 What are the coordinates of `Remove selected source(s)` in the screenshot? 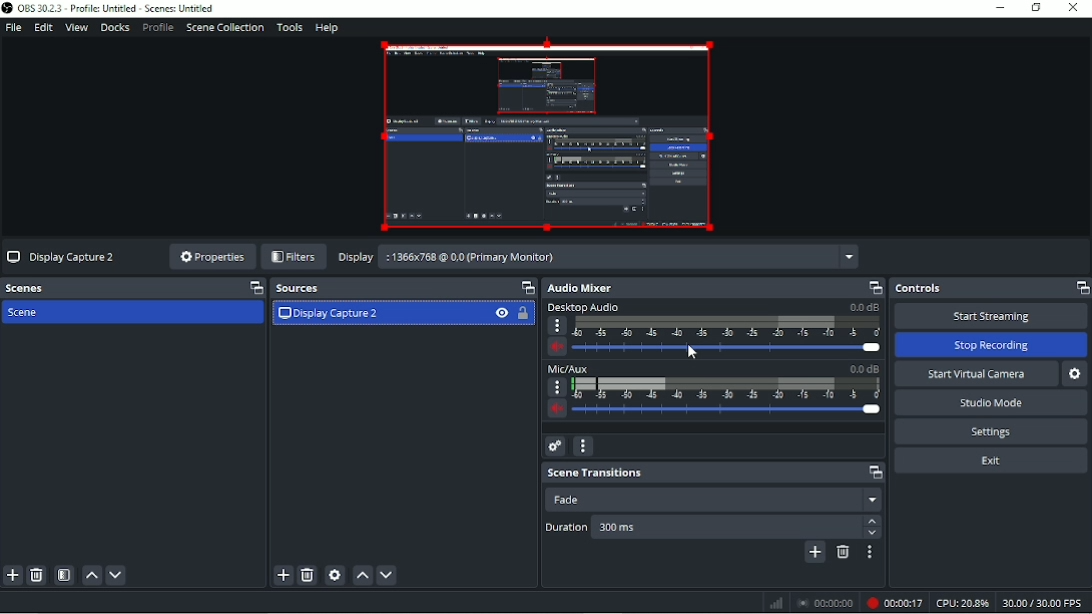 It's located at (307, 576).